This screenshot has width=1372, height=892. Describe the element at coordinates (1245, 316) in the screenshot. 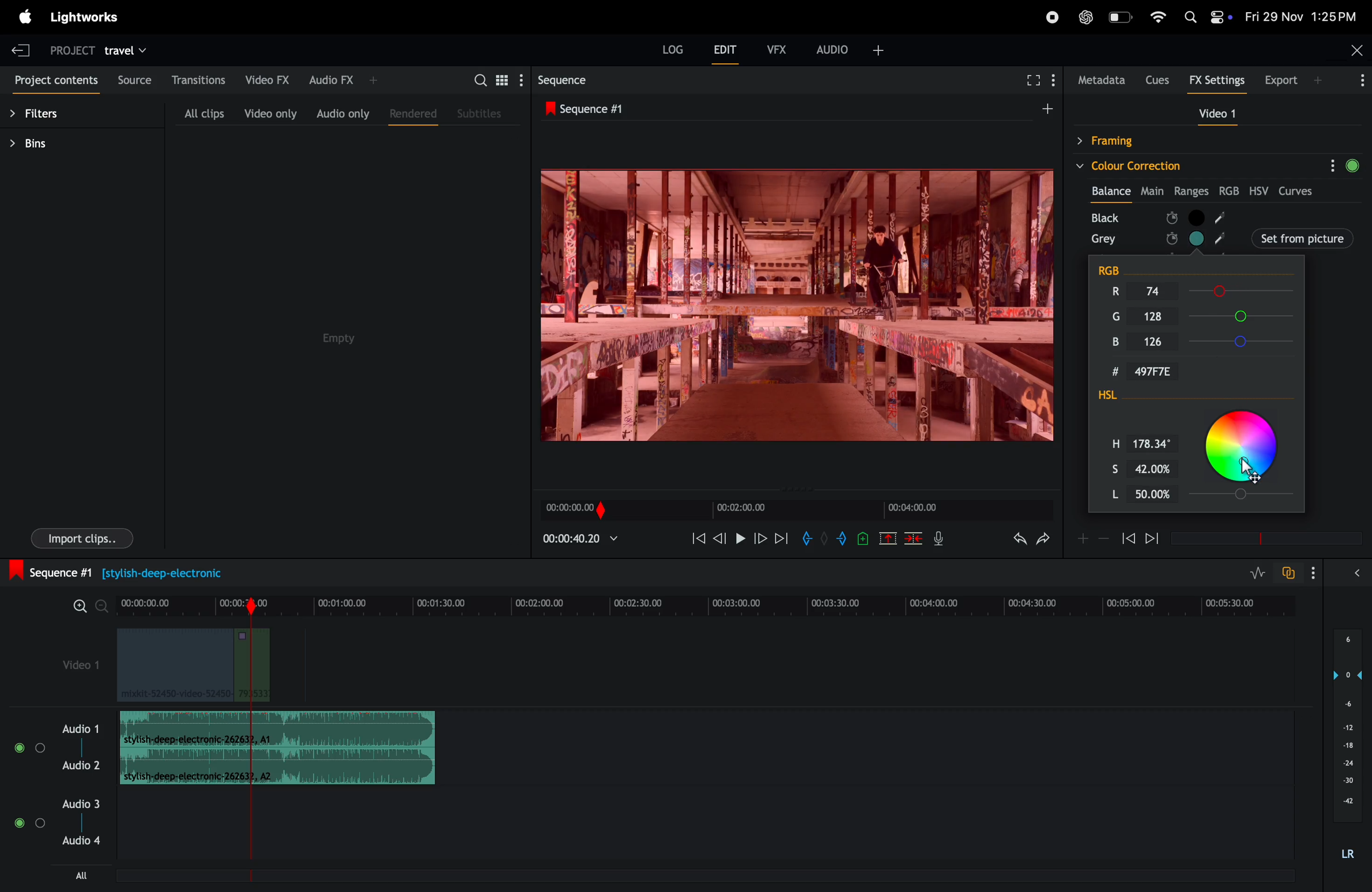

I see `G Slider` at that location.